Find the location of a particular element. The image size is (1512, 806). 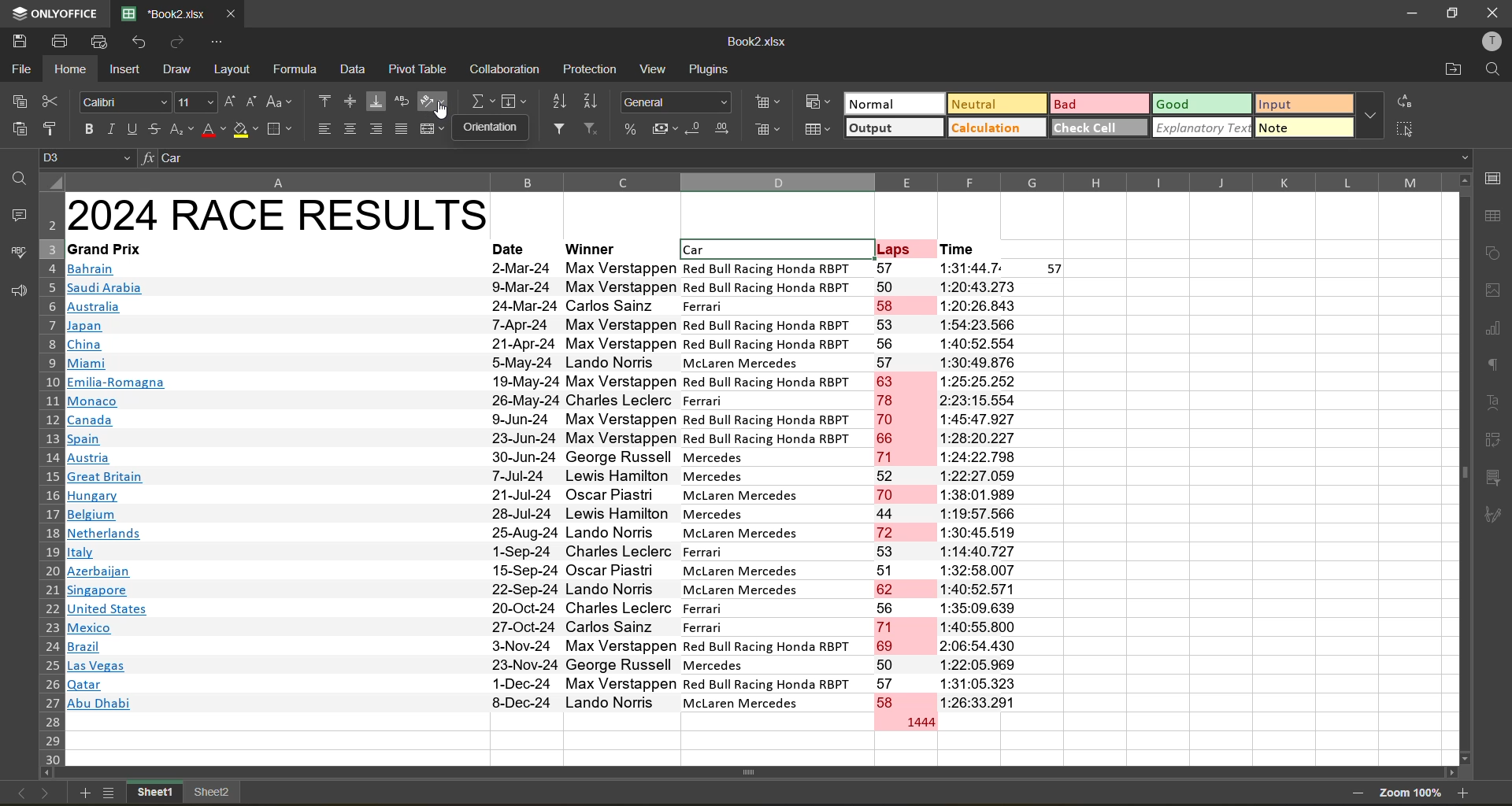

Vertical scroll is located at coordinates (1462, 473).